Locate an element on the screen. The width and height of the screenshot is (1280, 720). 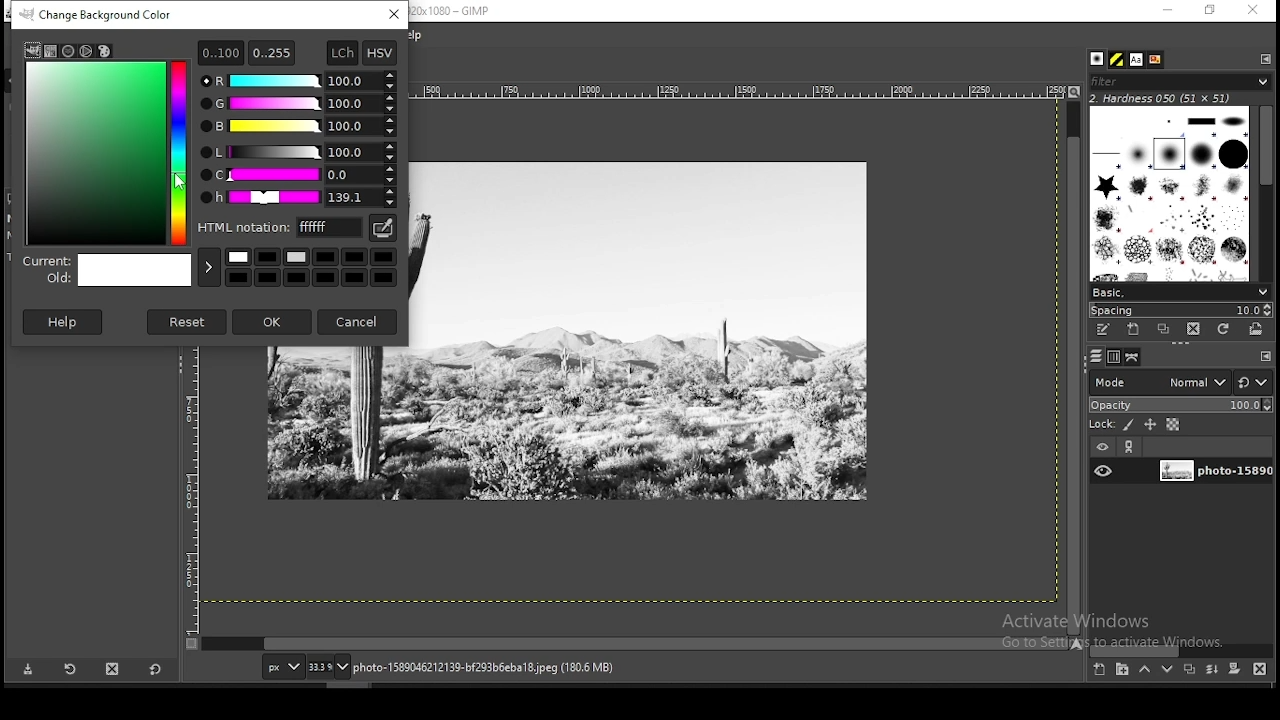
color picker is located at coordinates (381, 228).